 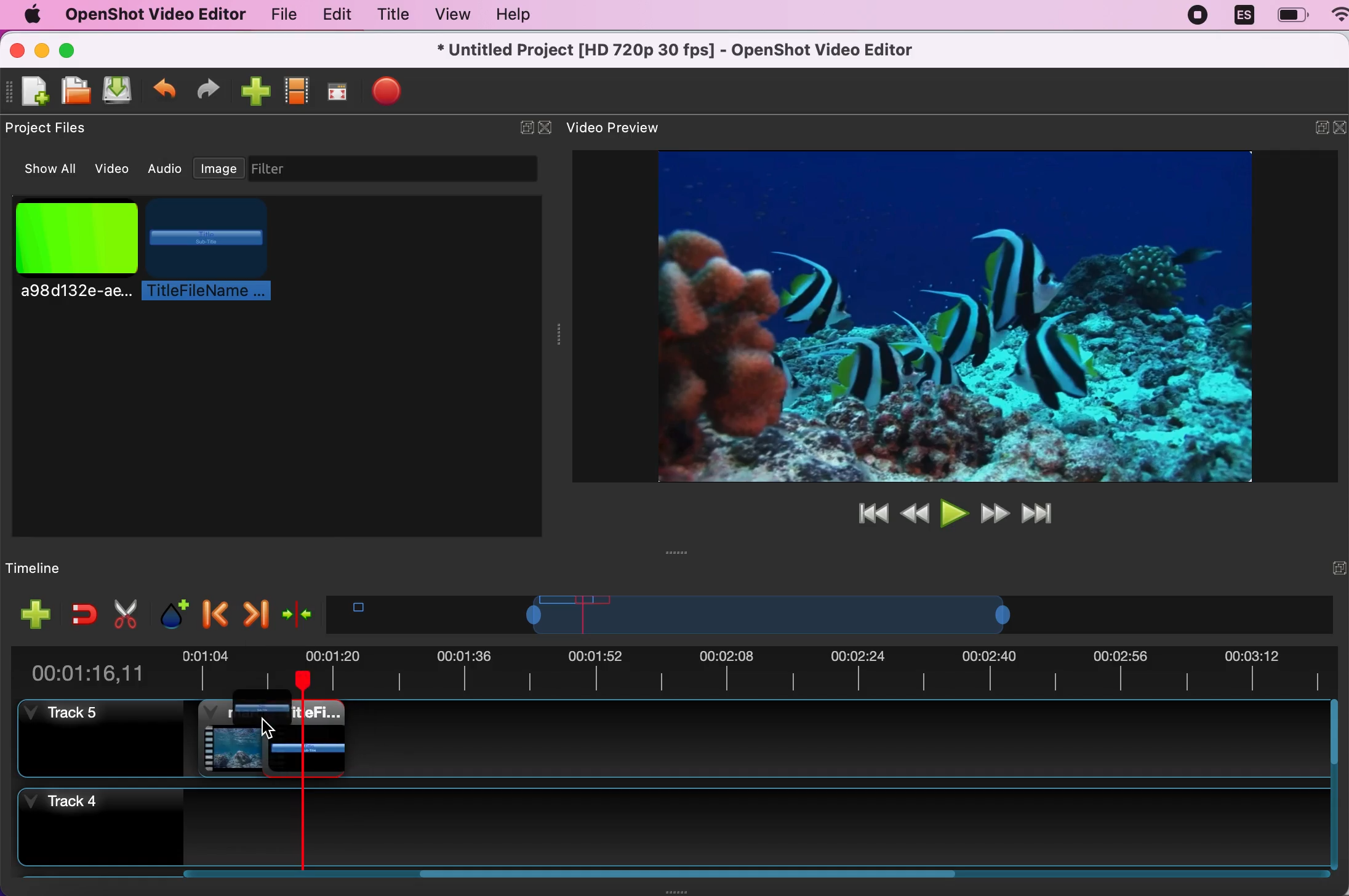 What do you see at coordinates (114, 167) in the screenshot?
I see `video` at bounding box center [114, 167].